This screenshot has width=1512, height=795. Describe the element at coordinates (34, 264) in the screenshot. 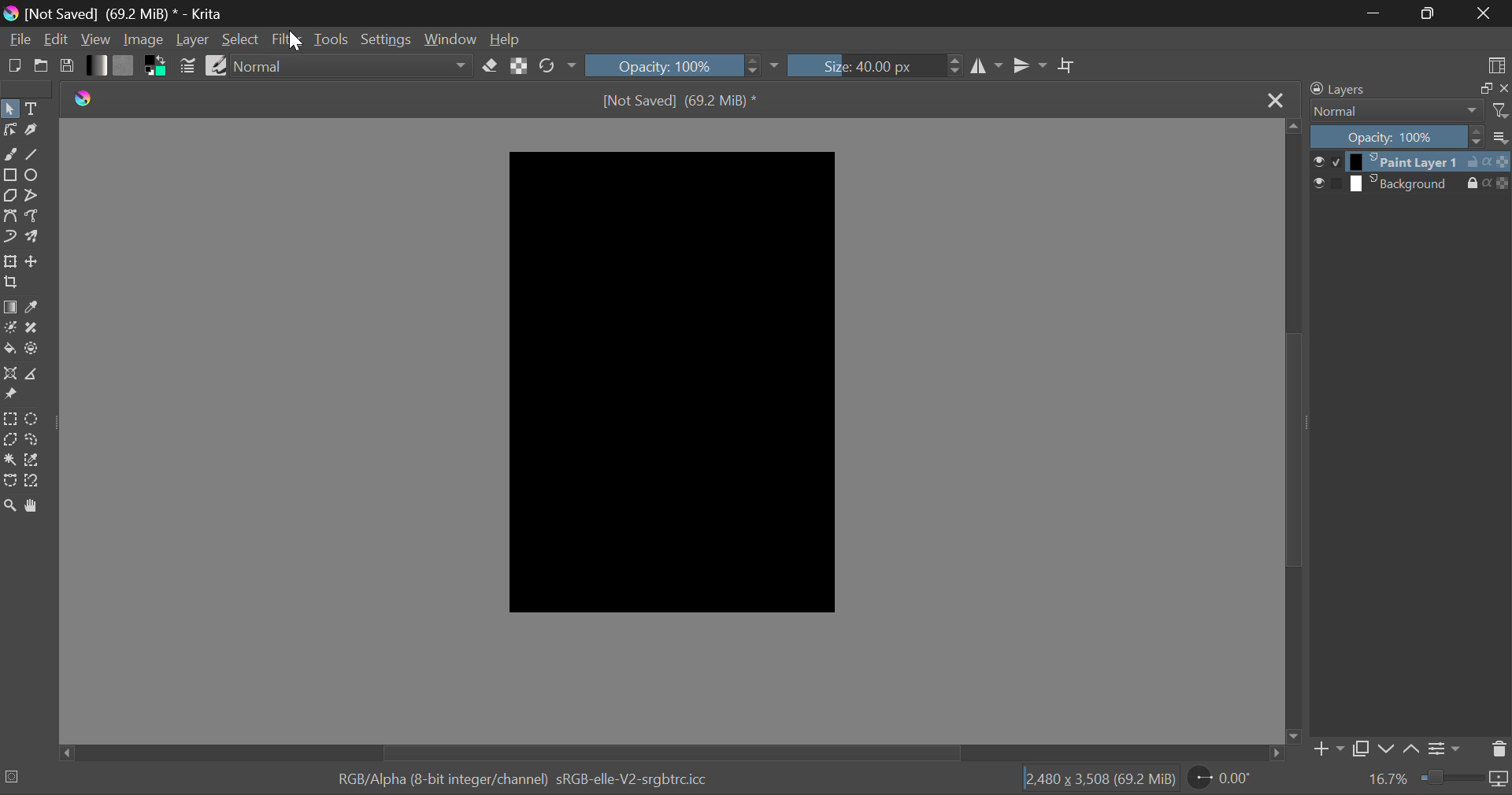

I see `Move Layer` at that location.